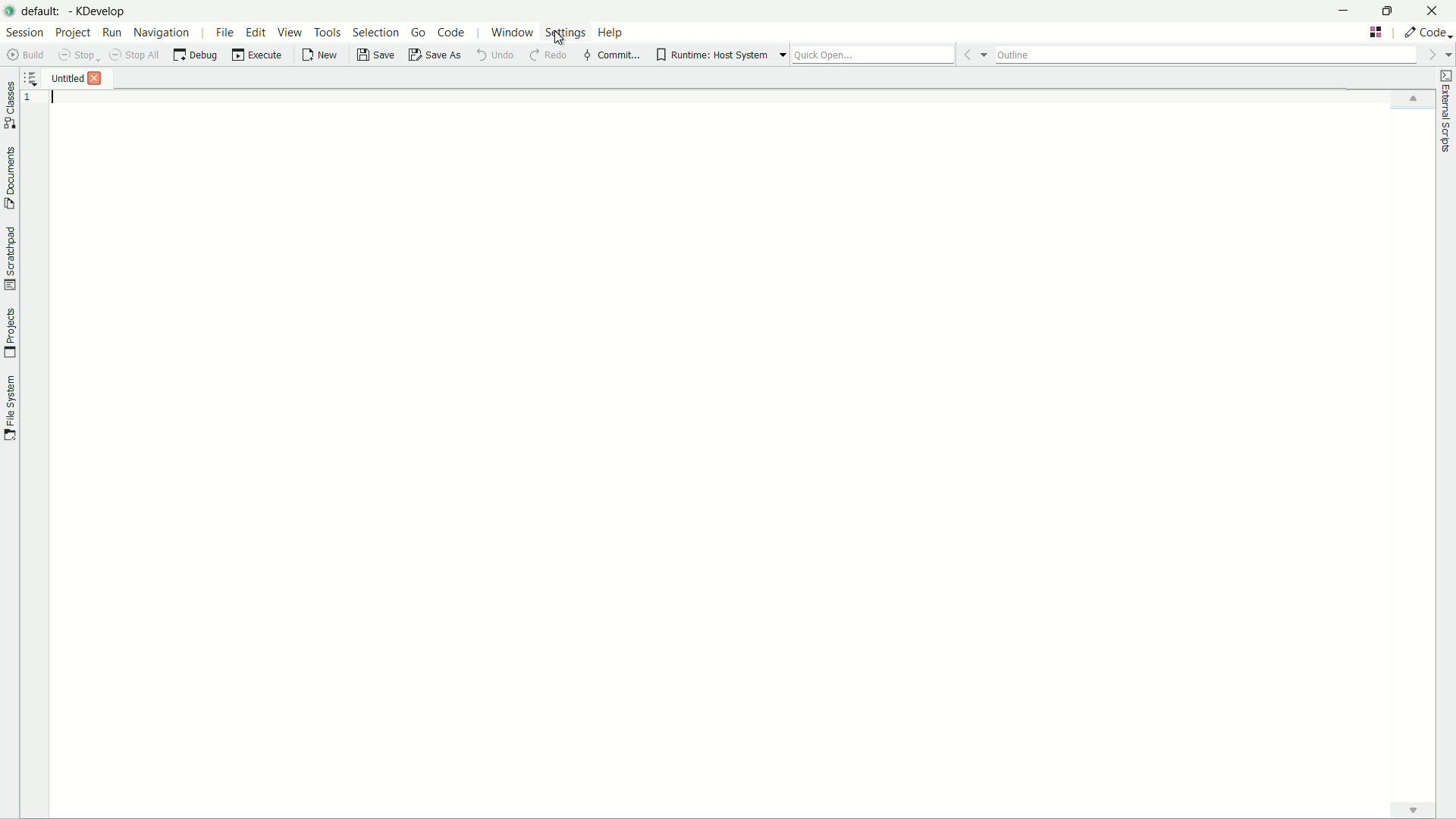  I want to click on Close, so click(99, 78).